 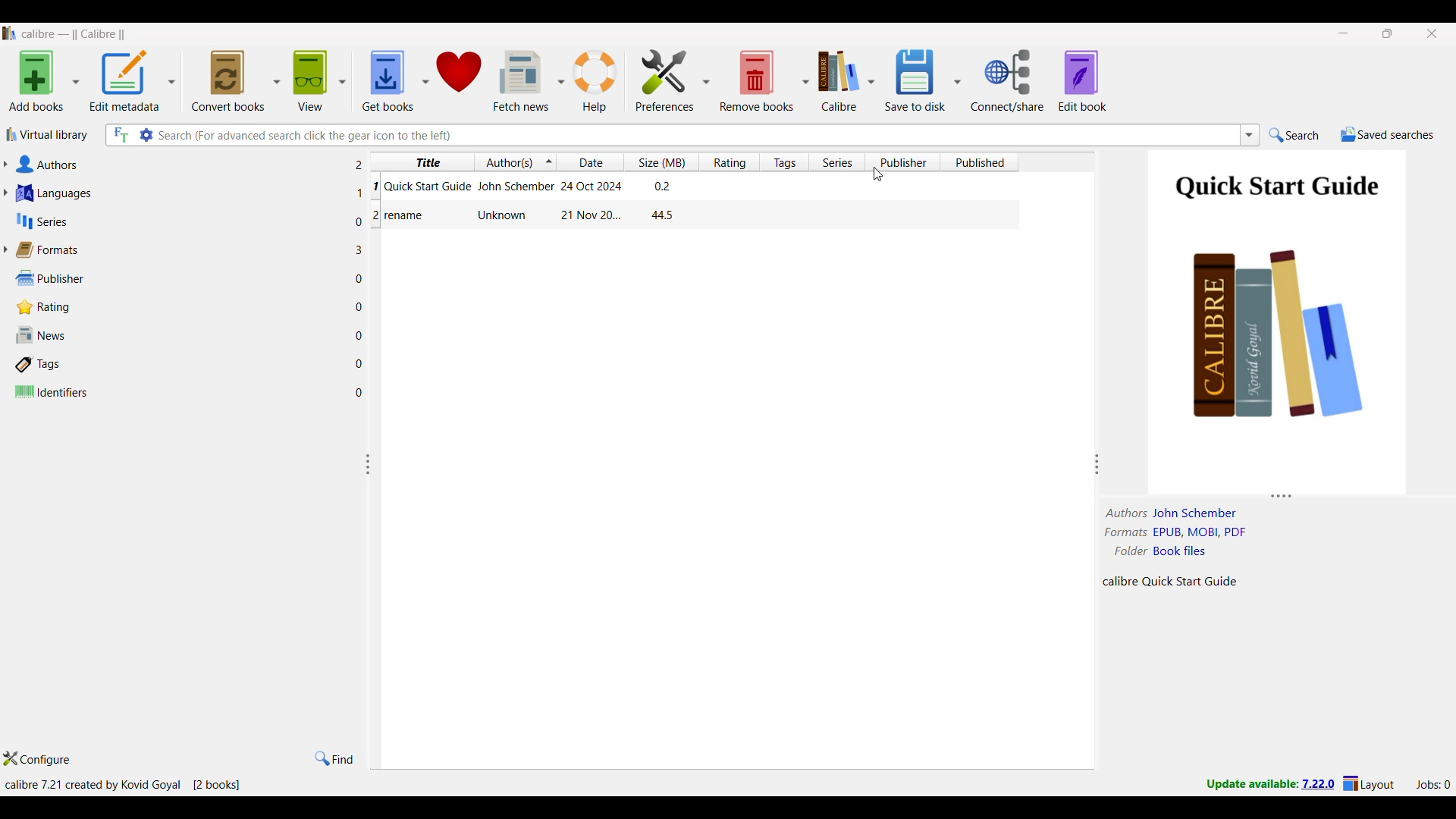 I want to click on 2, so click(x=362, y=165).